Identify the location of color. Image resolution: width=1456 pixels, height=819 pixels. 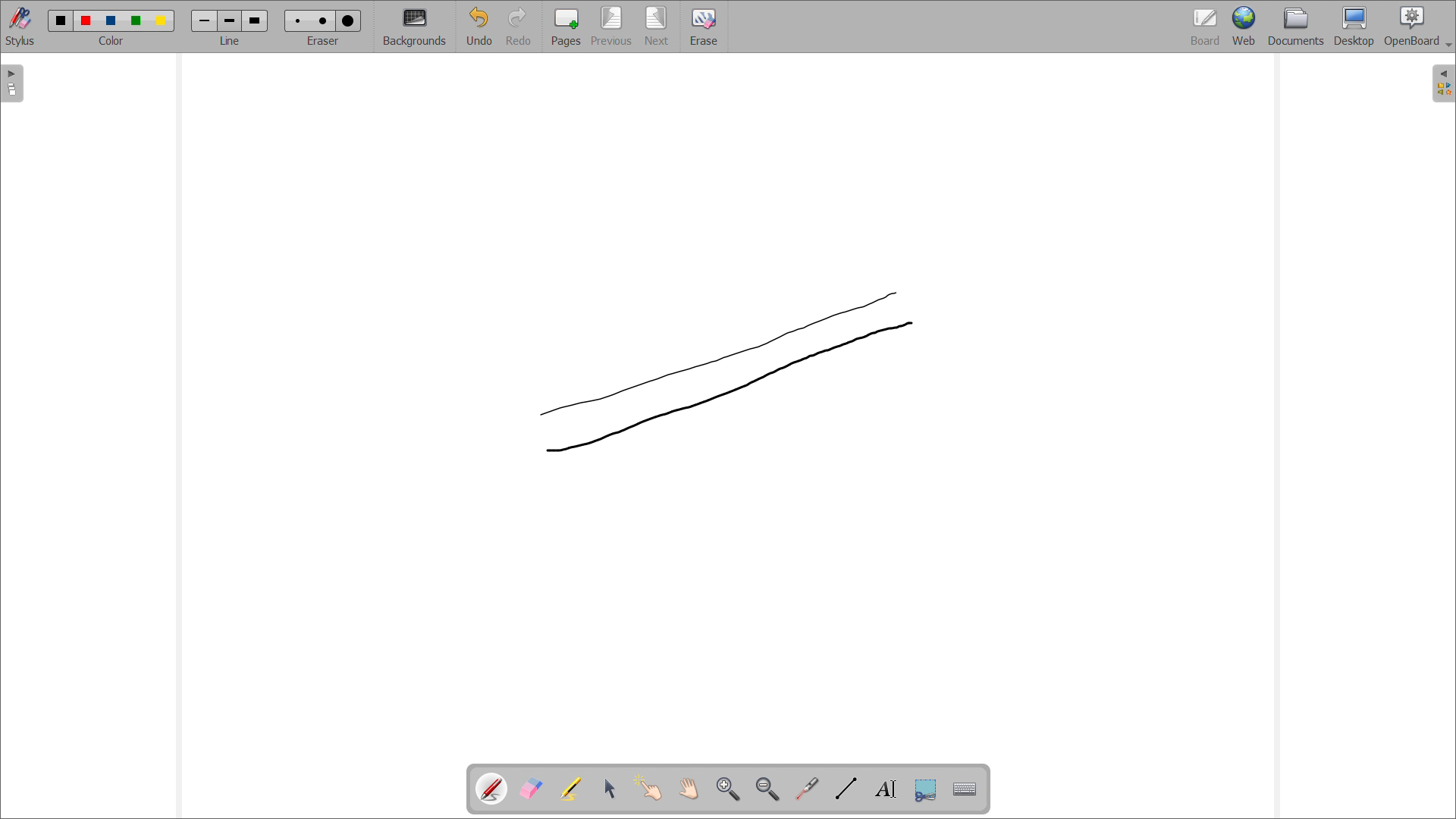
(161, 21).